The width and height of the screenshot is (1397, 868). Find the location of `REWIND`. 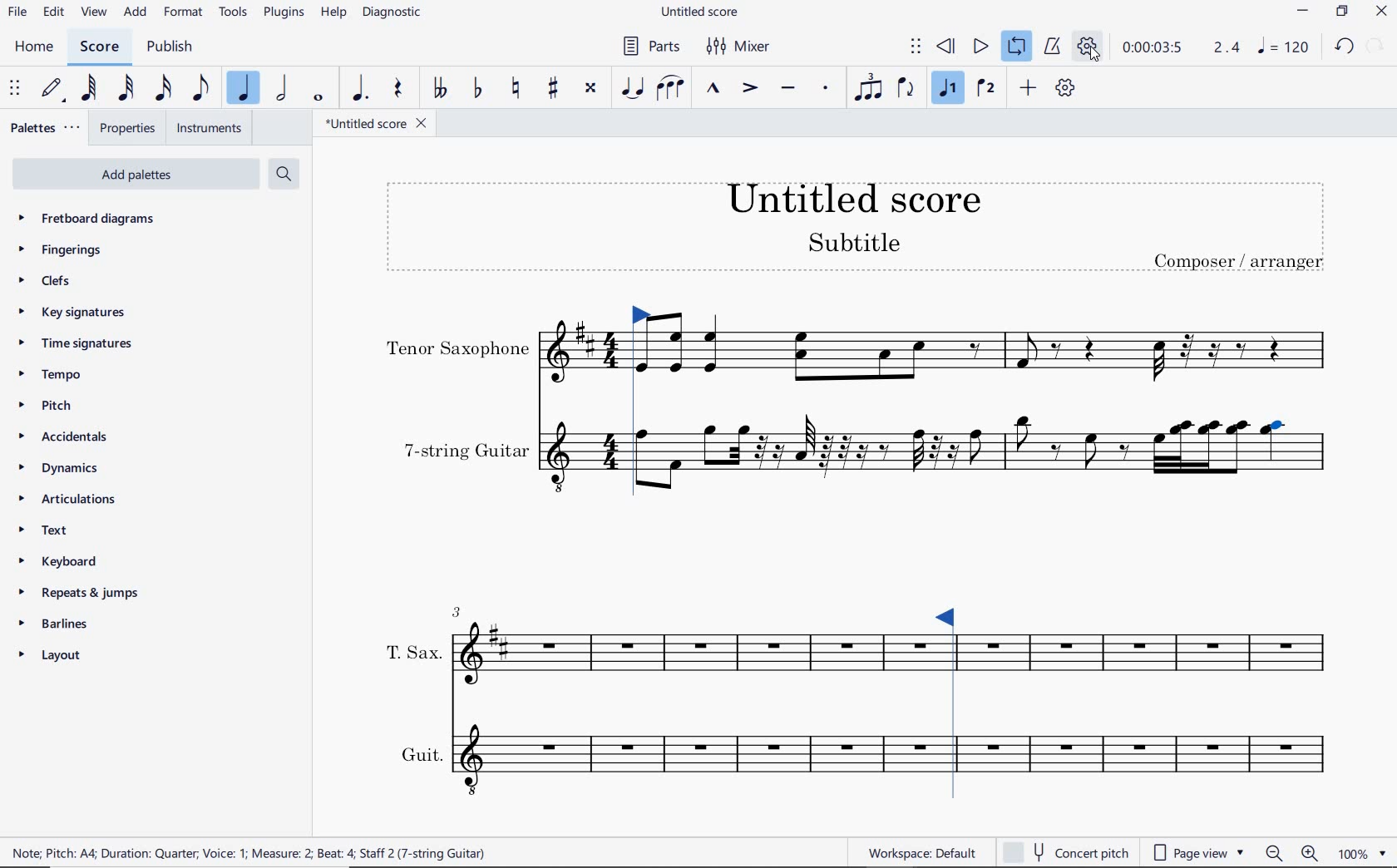

REWIND is located at coordinates (949, 45).